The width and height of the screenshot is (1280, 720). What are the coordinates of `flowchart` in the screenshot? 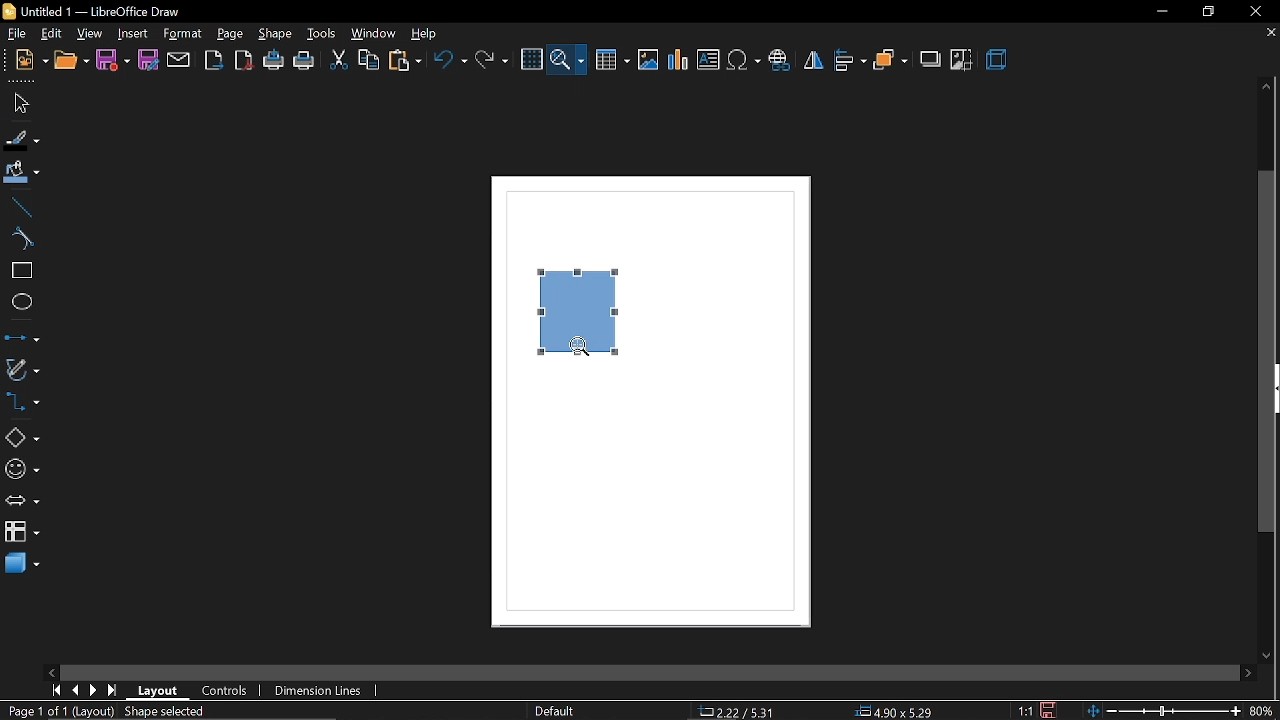 It's located at (22, 530).